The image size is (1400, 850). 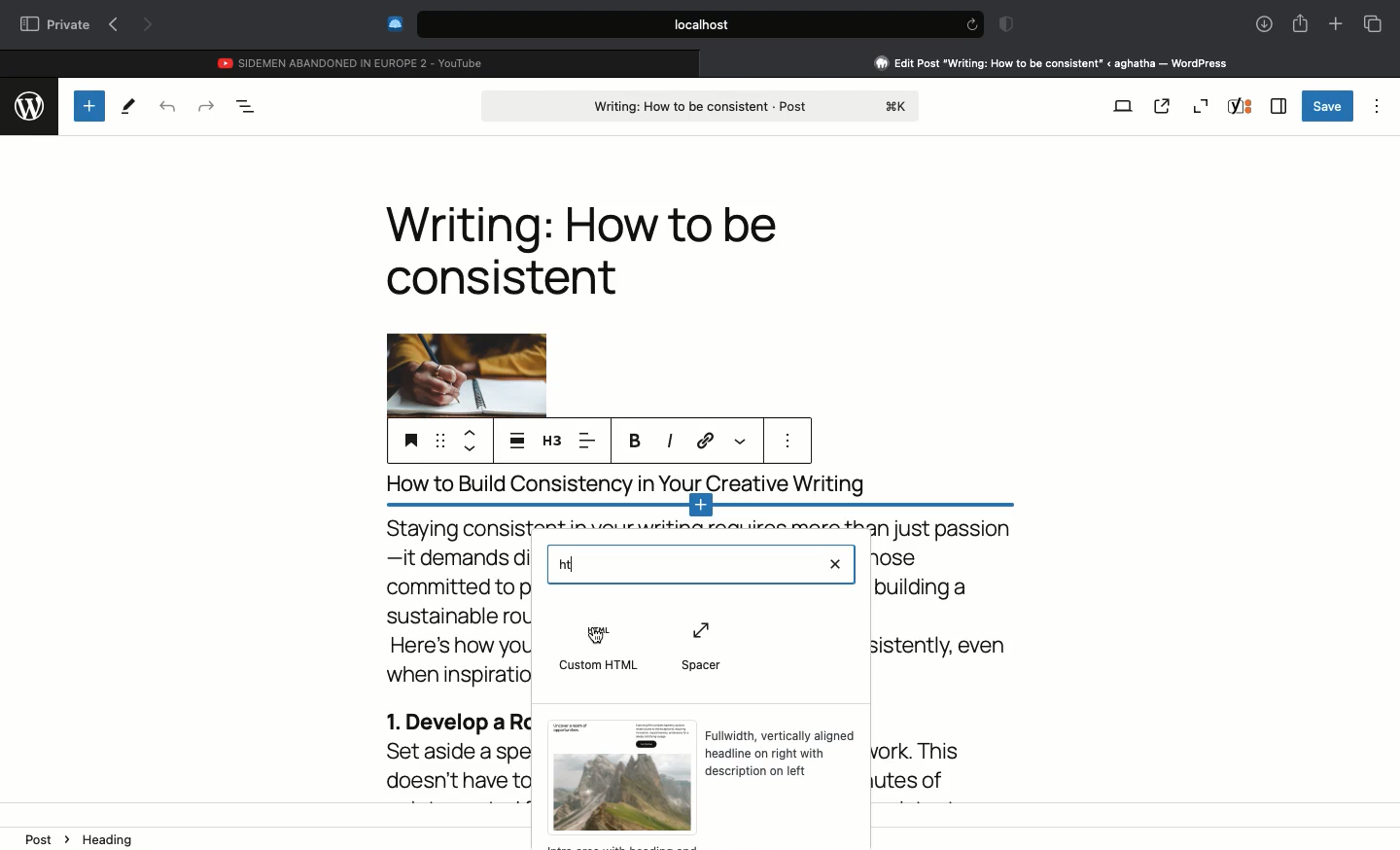 I want to click on Save, so click(x=1328, y=106).